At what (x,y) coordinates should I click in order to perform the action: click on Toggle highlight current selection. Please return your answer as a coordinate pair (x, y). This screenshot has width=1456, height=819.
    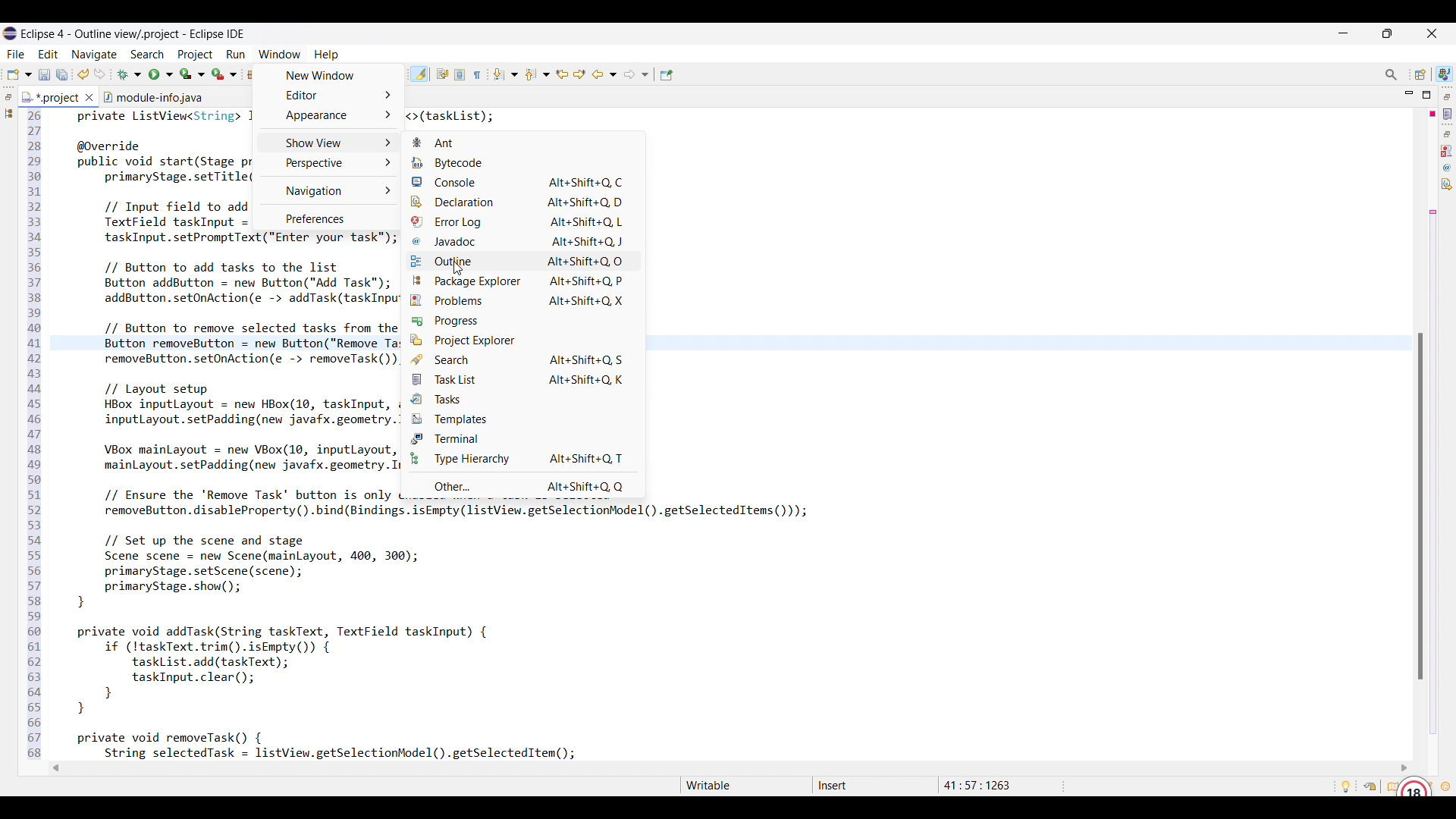
    Looking at the image, I should click on (419, 74).